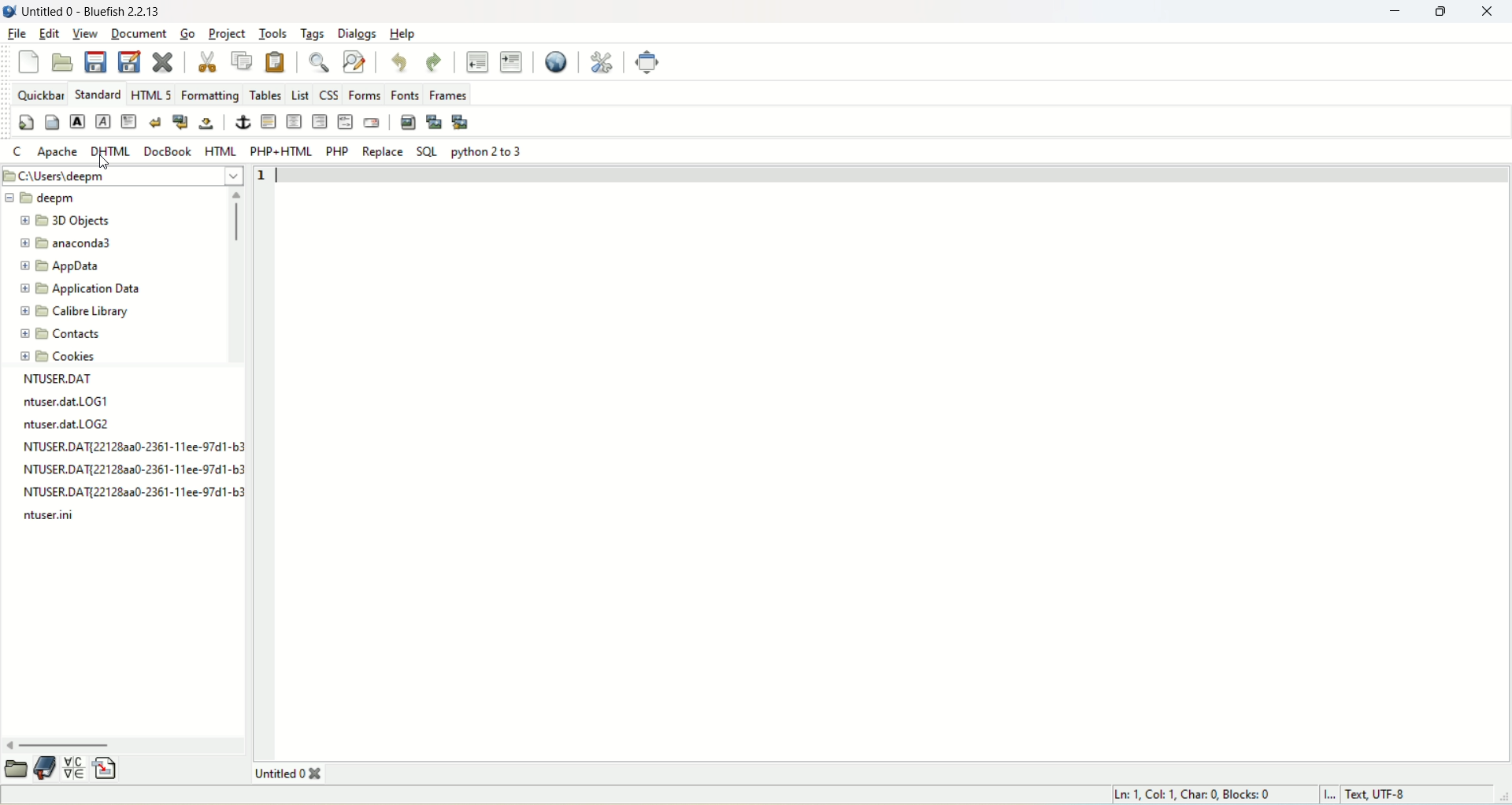 Image resolution: width=1512 pixels, height=805 pixels. Describe the element at coordinates (39, 199) in the screenshot. I see `deepm` at that location.